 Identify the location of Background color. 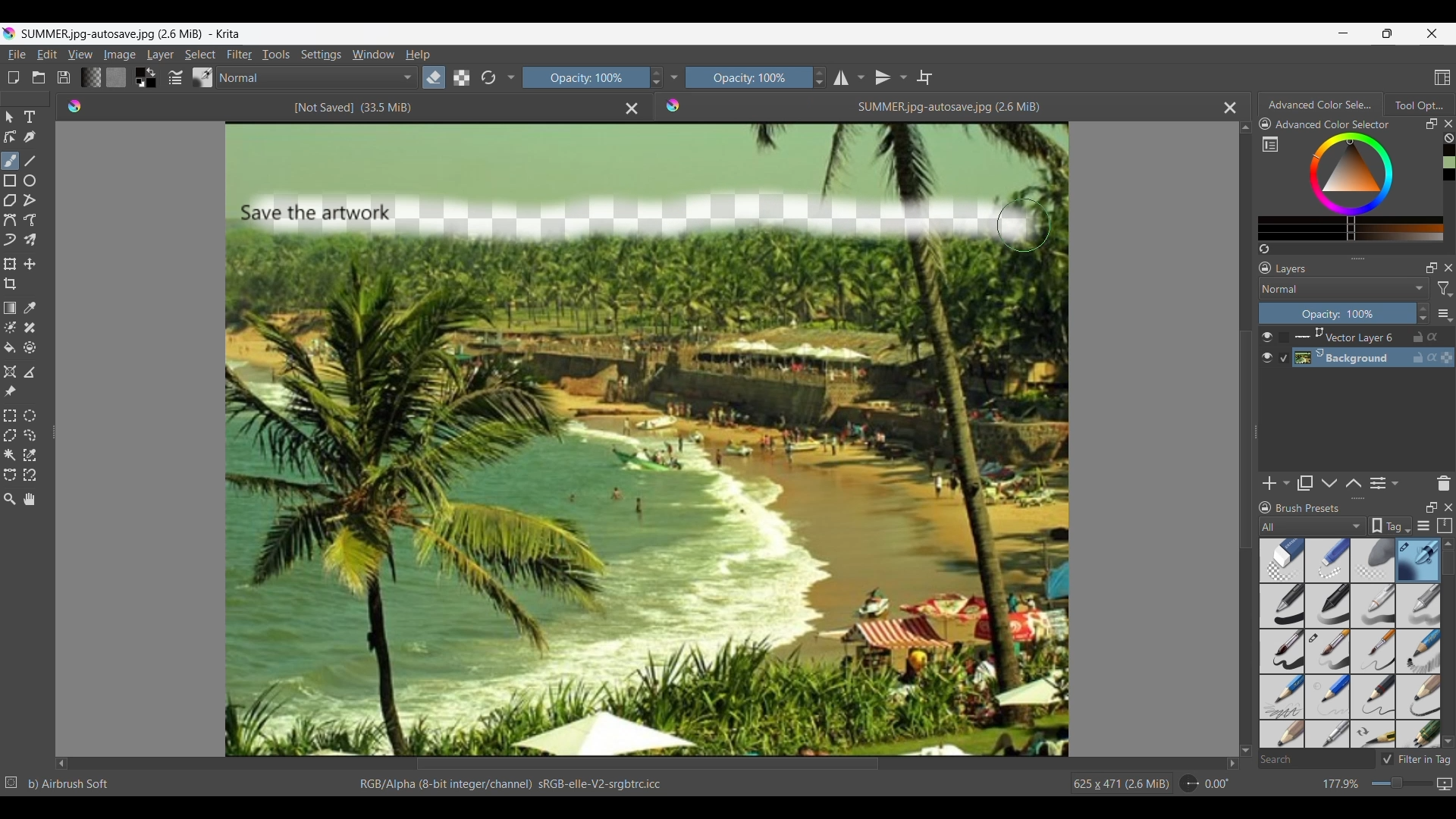
(152, 83).